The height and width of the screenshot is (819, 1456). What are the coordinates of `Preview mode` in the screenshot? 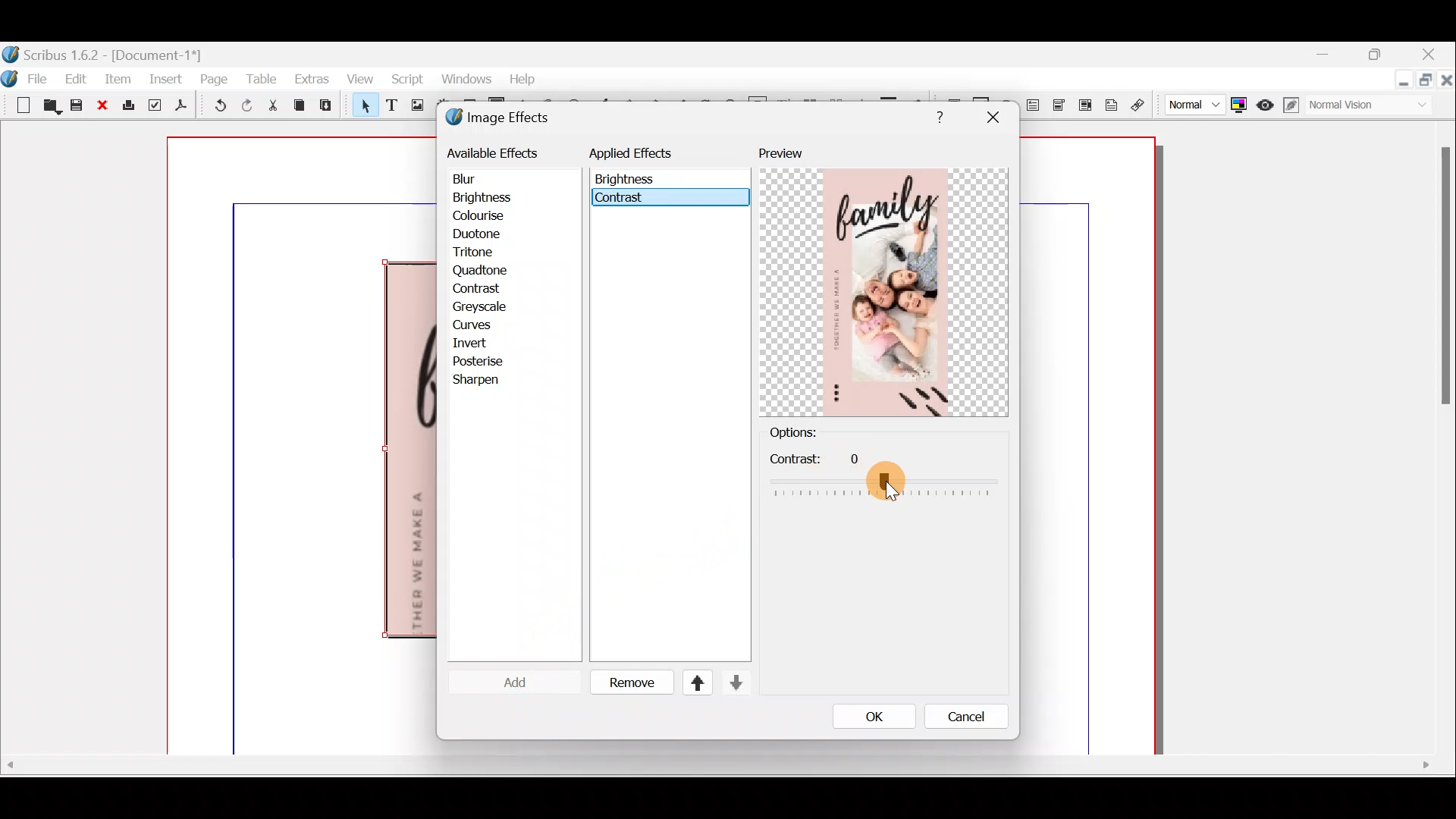 It's located at (1266, 102).